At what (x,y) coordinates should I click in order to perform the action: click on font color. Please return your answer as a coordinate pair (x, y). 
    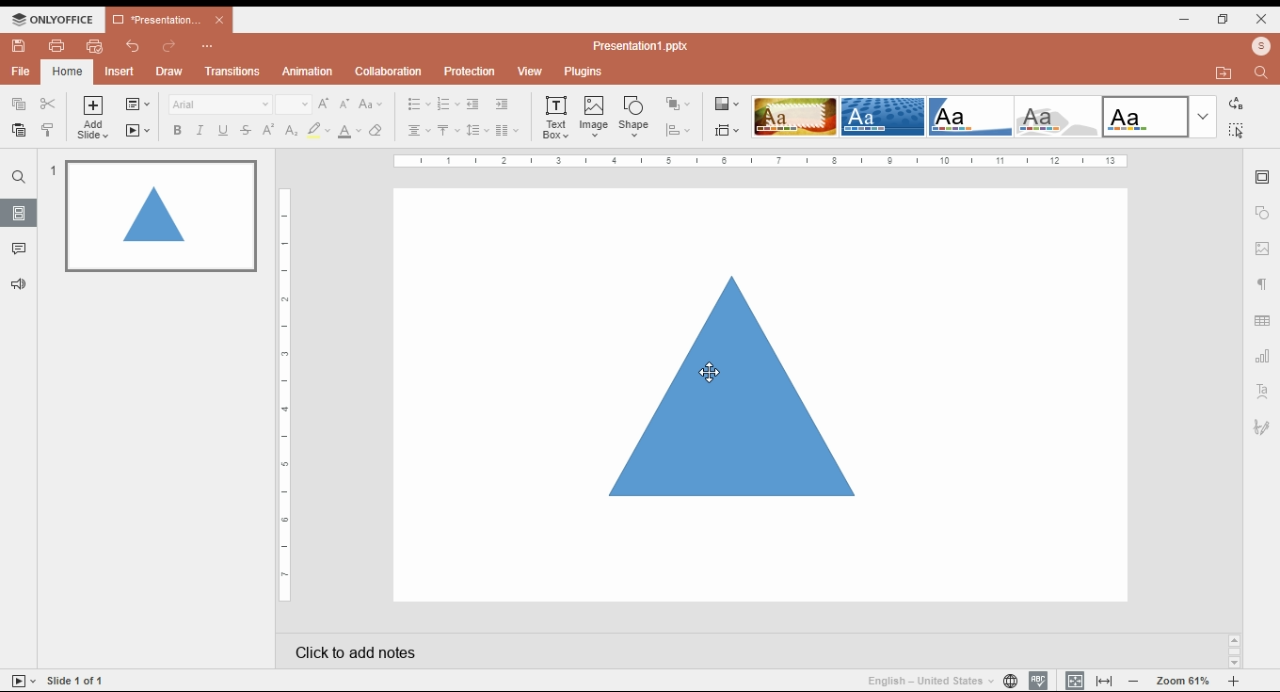
    Looking at the image, I should click on (350, 132).